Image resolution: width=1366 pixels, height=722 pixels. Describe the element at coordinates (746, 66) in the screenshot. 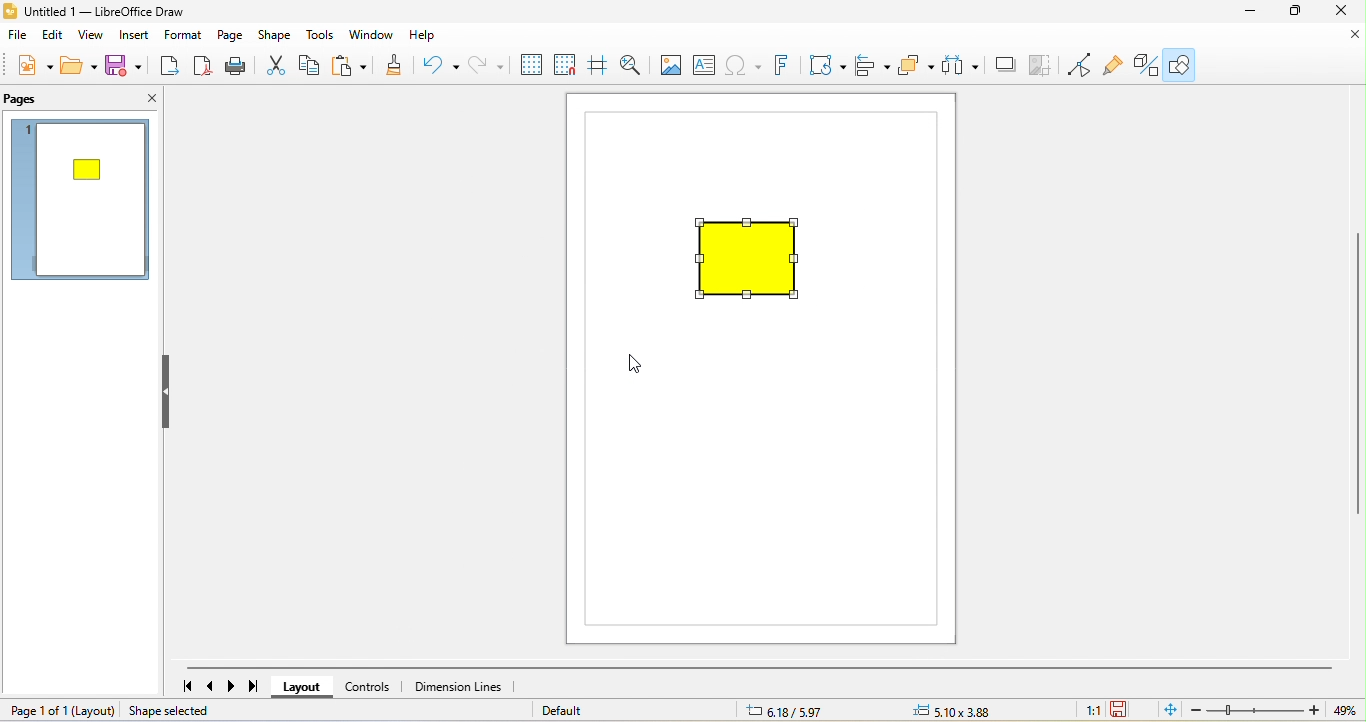

I see `special character` at that location.